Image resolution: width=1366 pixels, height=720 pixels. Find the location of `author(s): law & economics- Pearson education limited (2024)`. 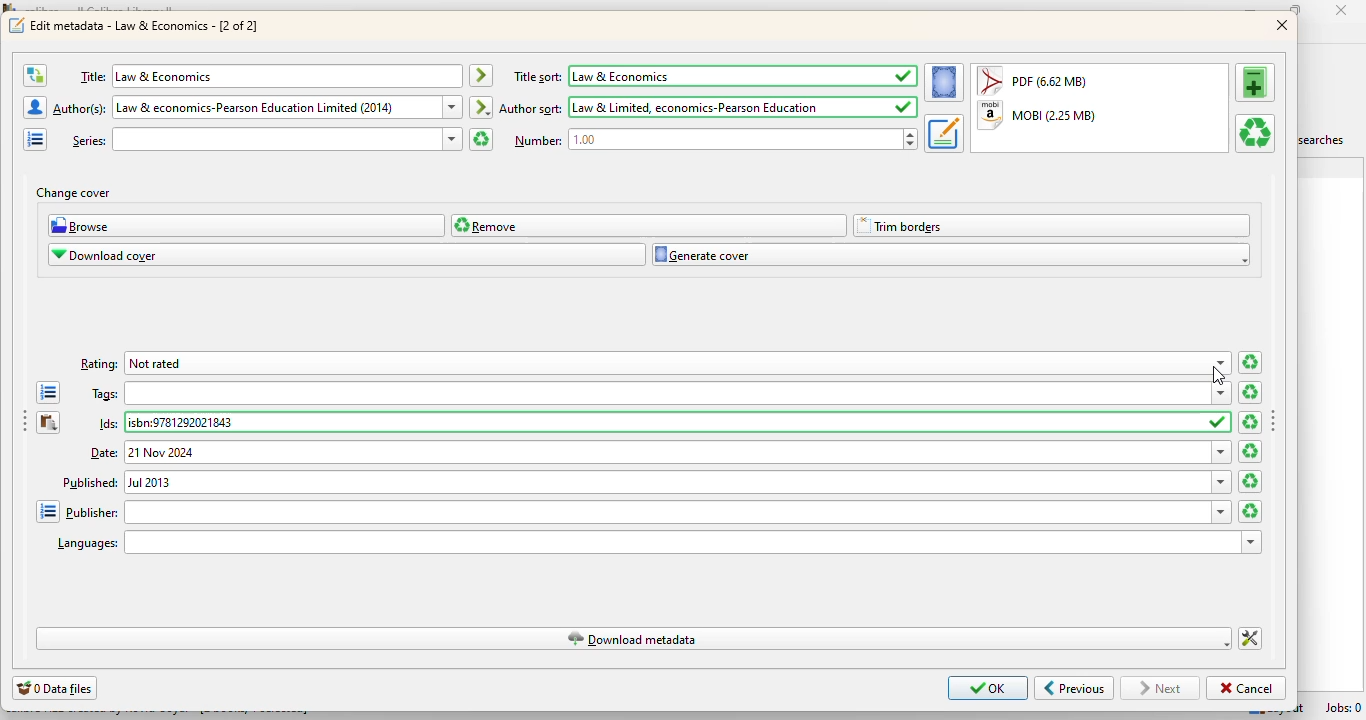

author(s): law & economics- Pearson education limited (2024) is located at coordinates (256, 107).